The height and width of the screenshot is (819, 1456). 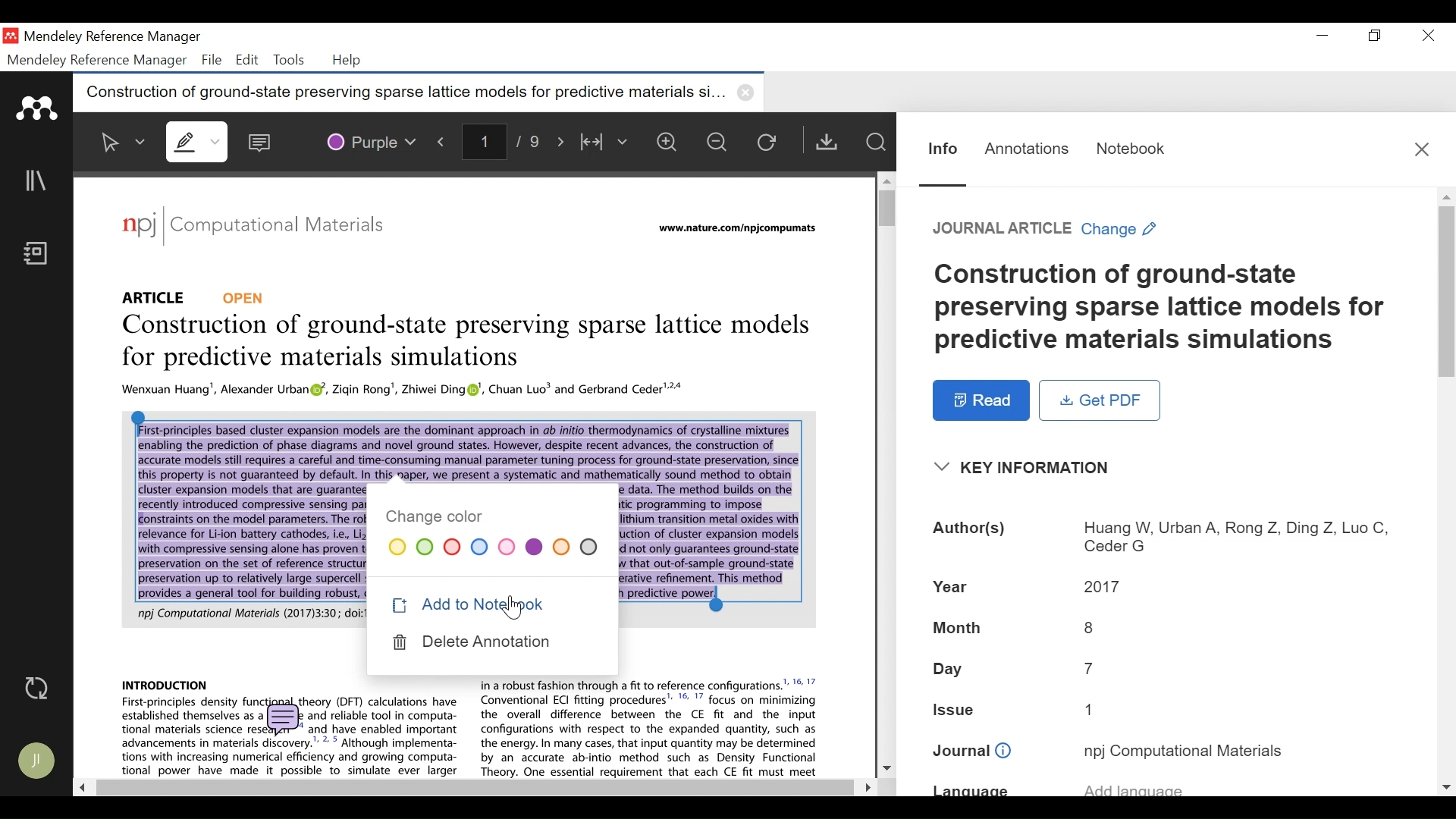 What do you see at coordinates (286, 720) in the screenshot?
I see `comment` at bounding box center [286, 720].